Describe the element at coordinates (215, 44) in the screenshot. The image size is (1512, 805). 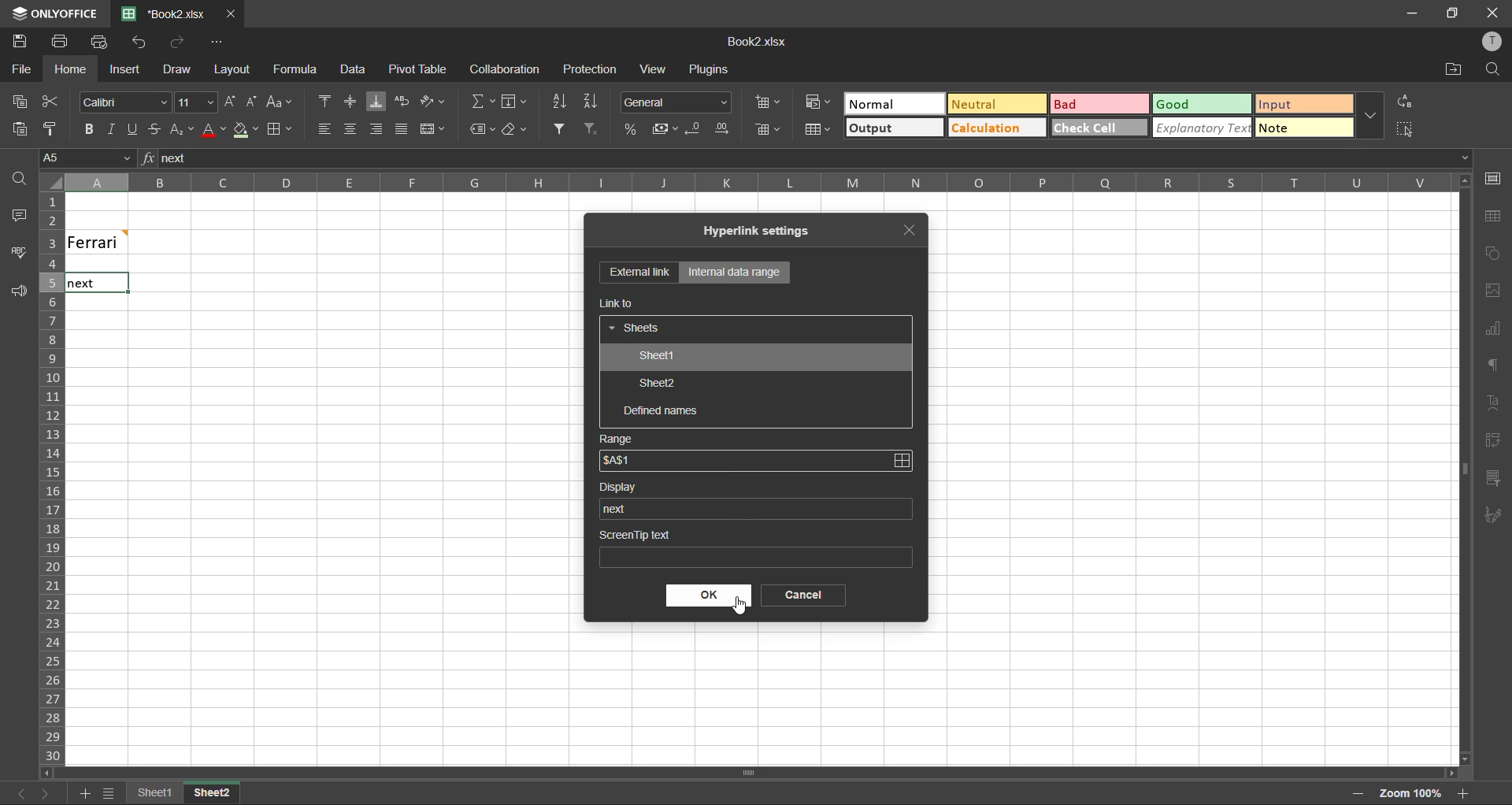
I see `customize quick access toolbar` at that location.